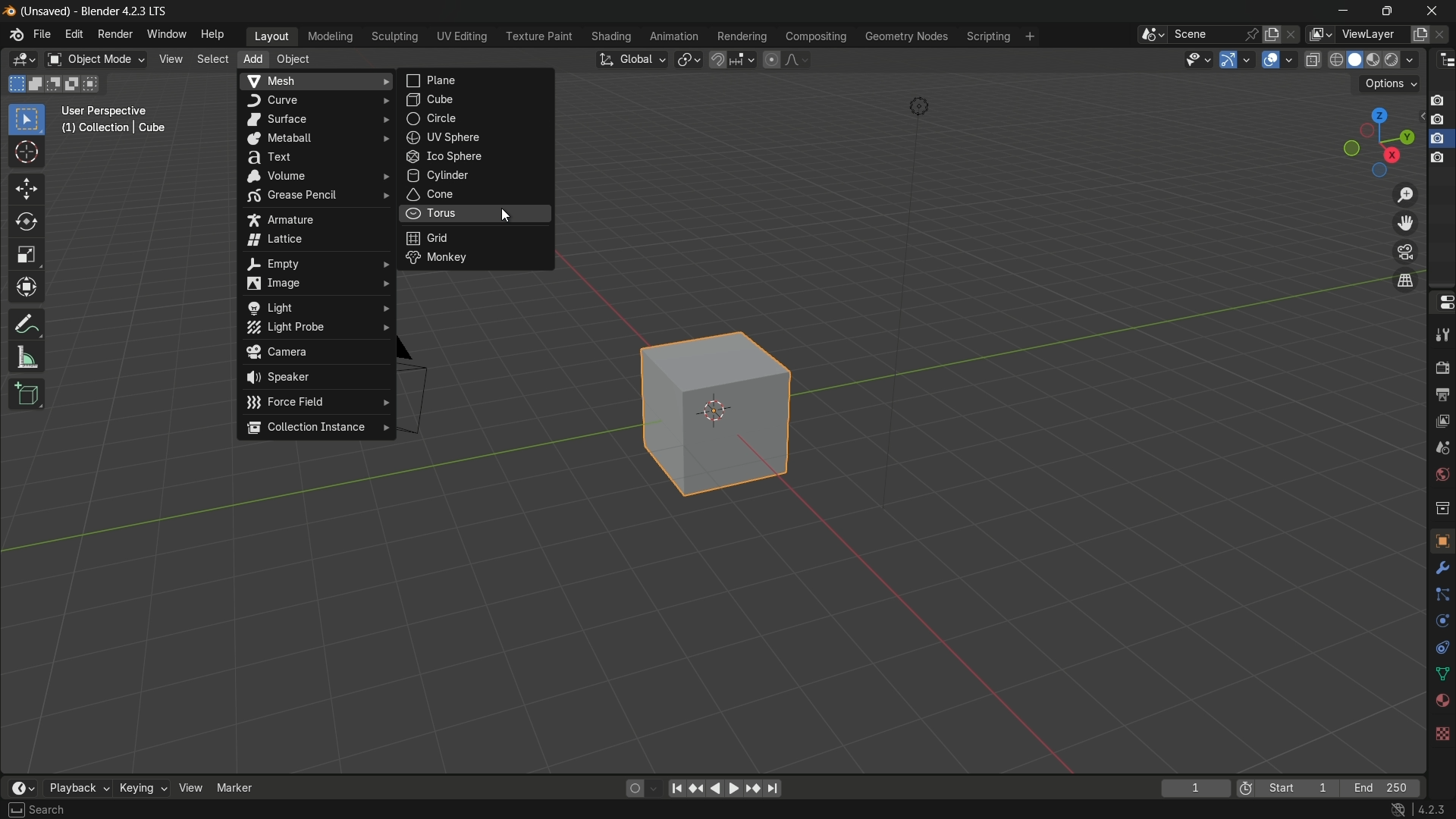 The image size is (1456, 819). I want to click on layer 2, so click(1436, 119).